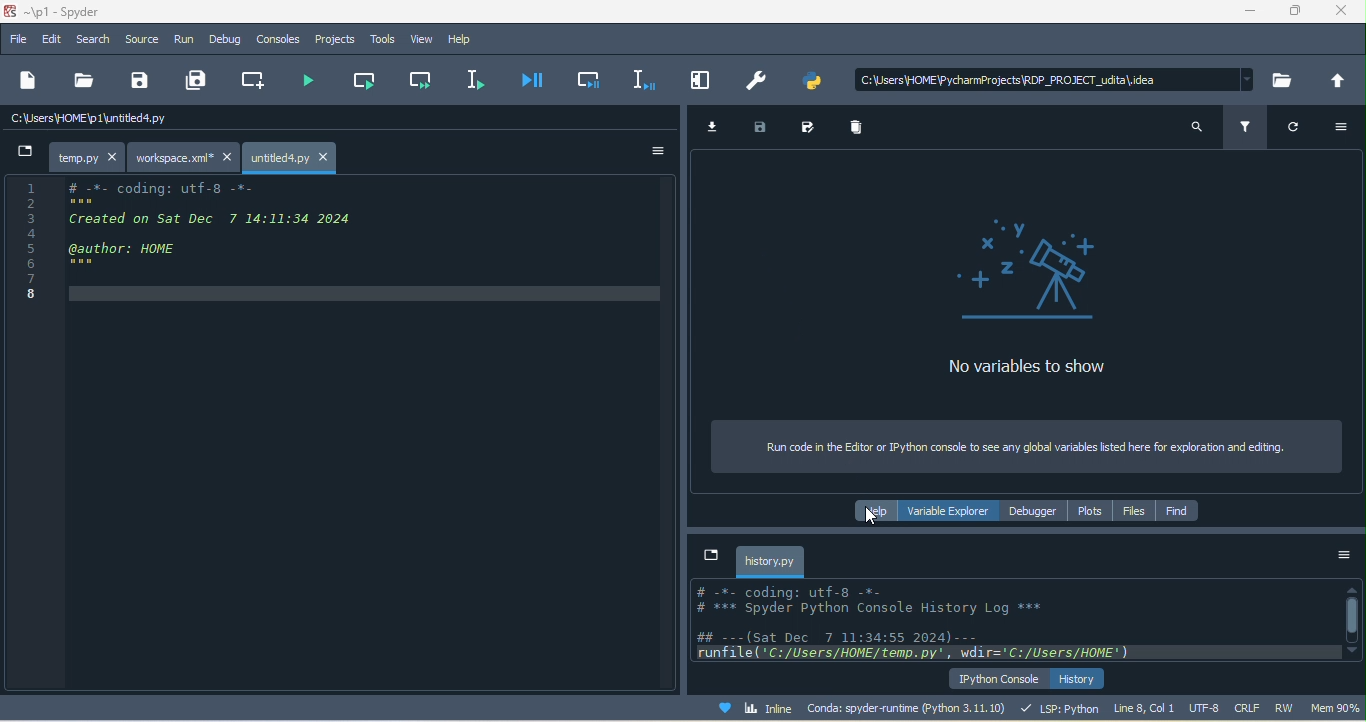 The image size is (1366, 722). I want to click on inline, so click(751, 711).